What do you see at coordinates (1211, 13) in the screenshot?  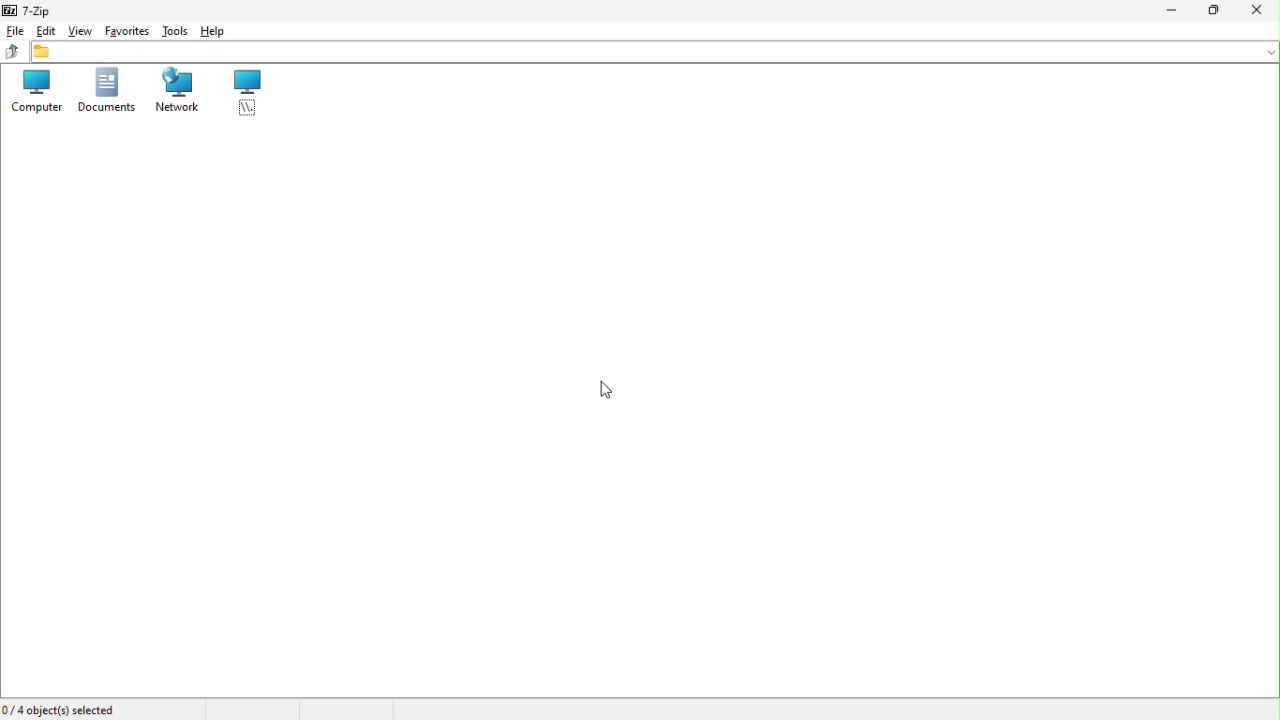 I see `restore` at bounding box center [1211, 13].